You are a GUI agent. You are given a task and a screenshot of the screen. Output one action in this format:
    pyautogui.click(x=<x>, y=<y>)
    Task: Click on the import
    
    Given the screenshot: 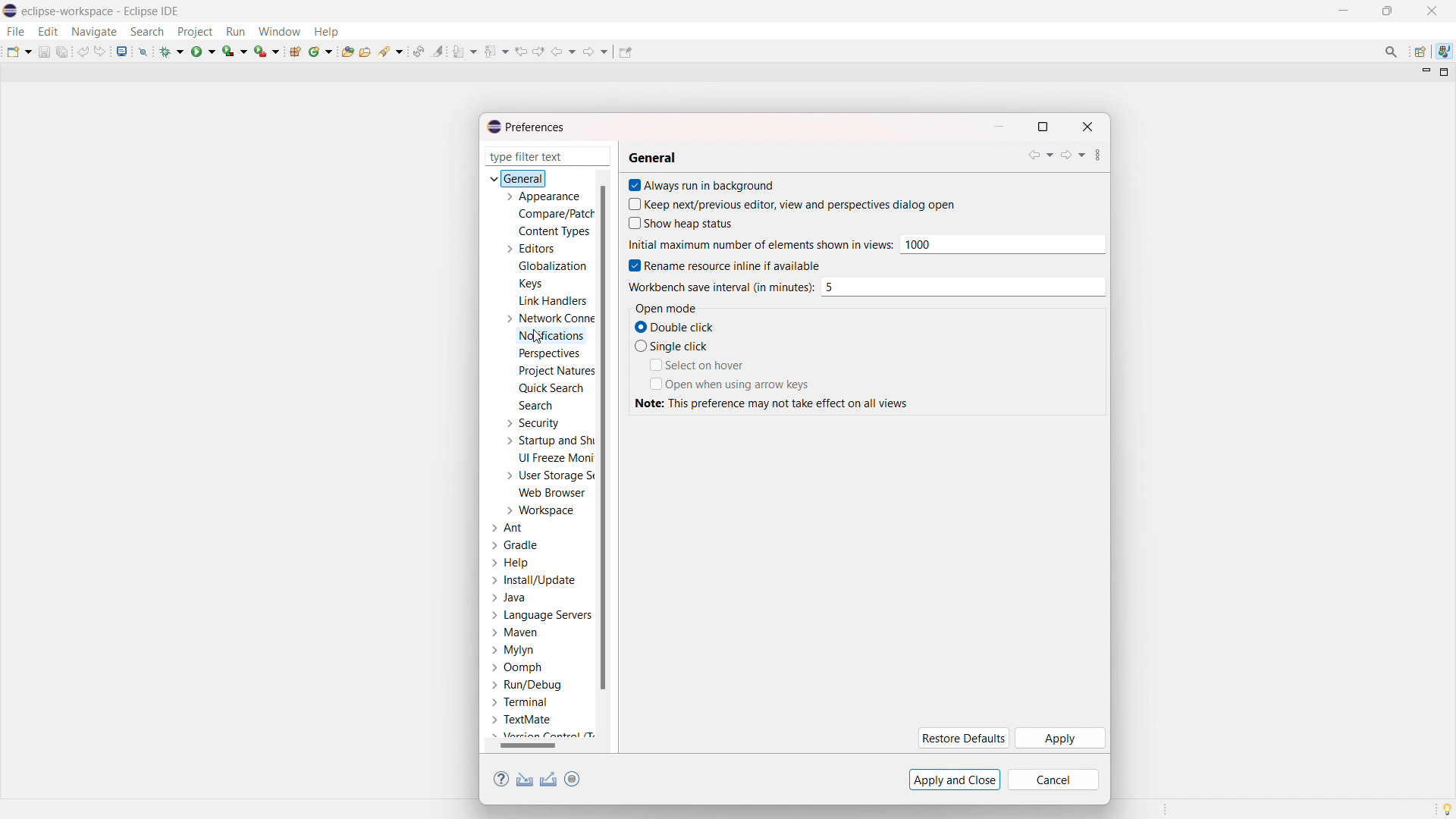 What is the action you would take?
    pyautogui.click(x=525, y=780)
    